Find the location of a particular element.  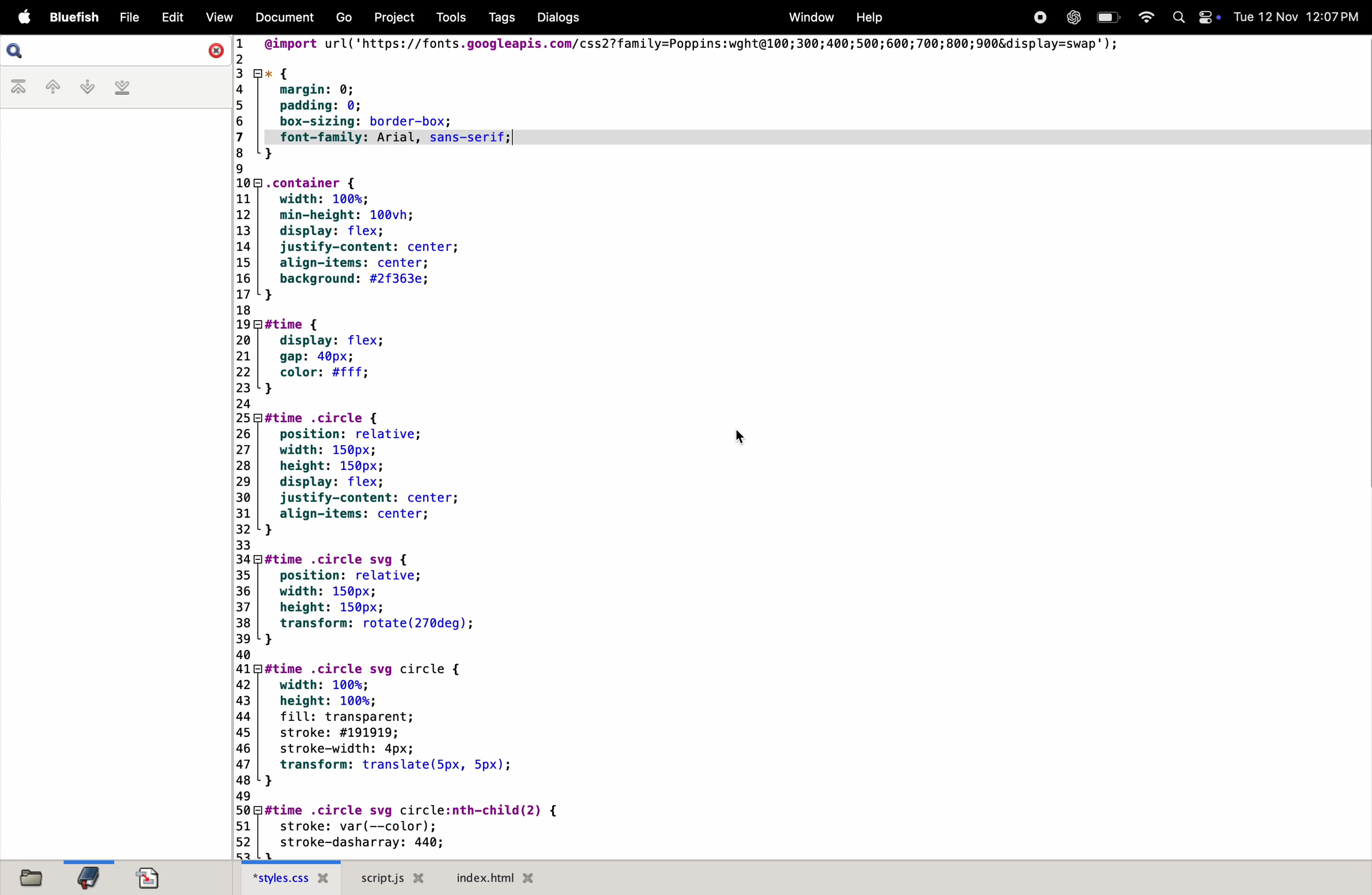

chatgpt is located at coordinates (1071, 17).